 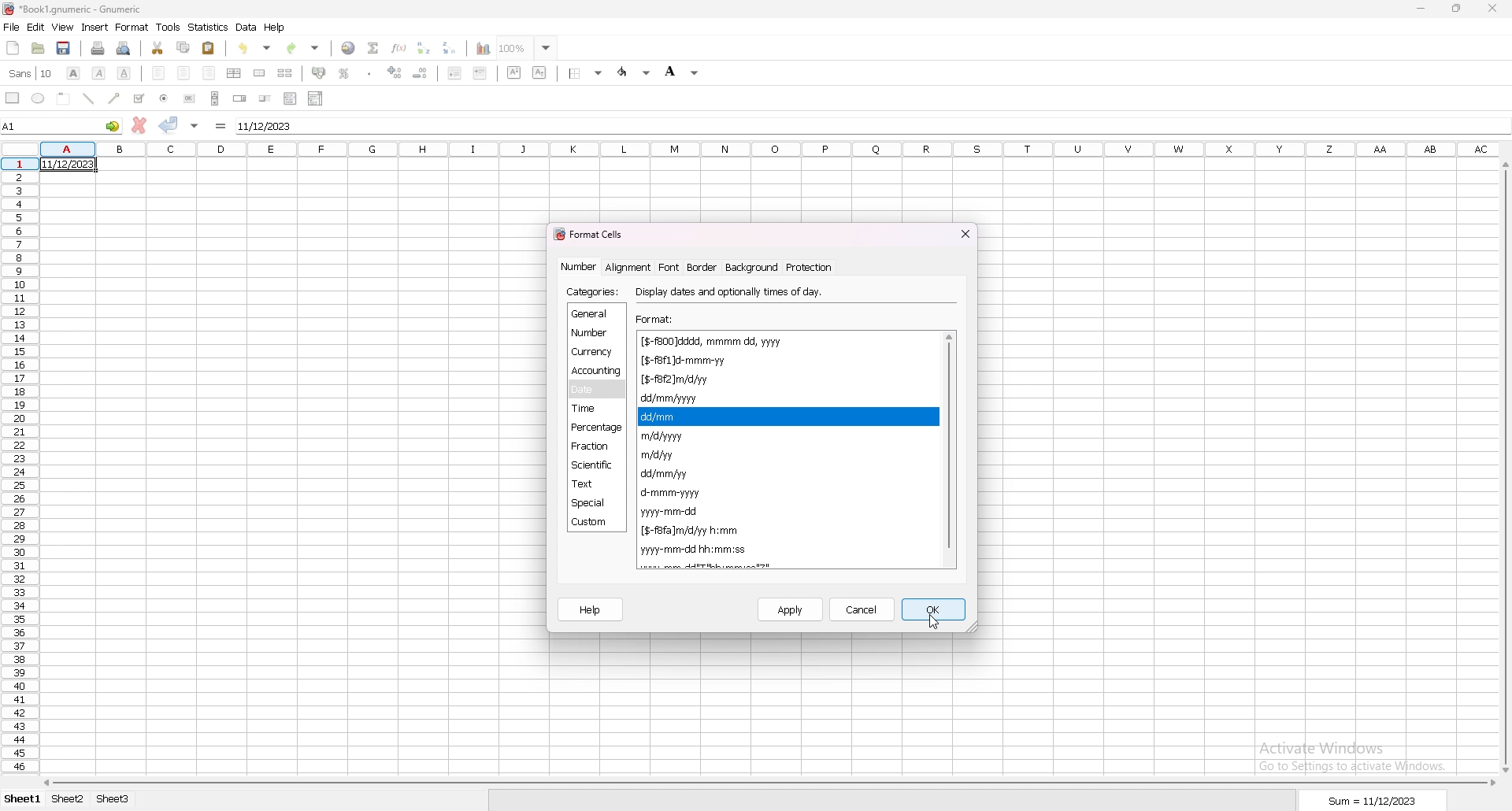 I want to click on sheet 3, so click(x=113, y=799).